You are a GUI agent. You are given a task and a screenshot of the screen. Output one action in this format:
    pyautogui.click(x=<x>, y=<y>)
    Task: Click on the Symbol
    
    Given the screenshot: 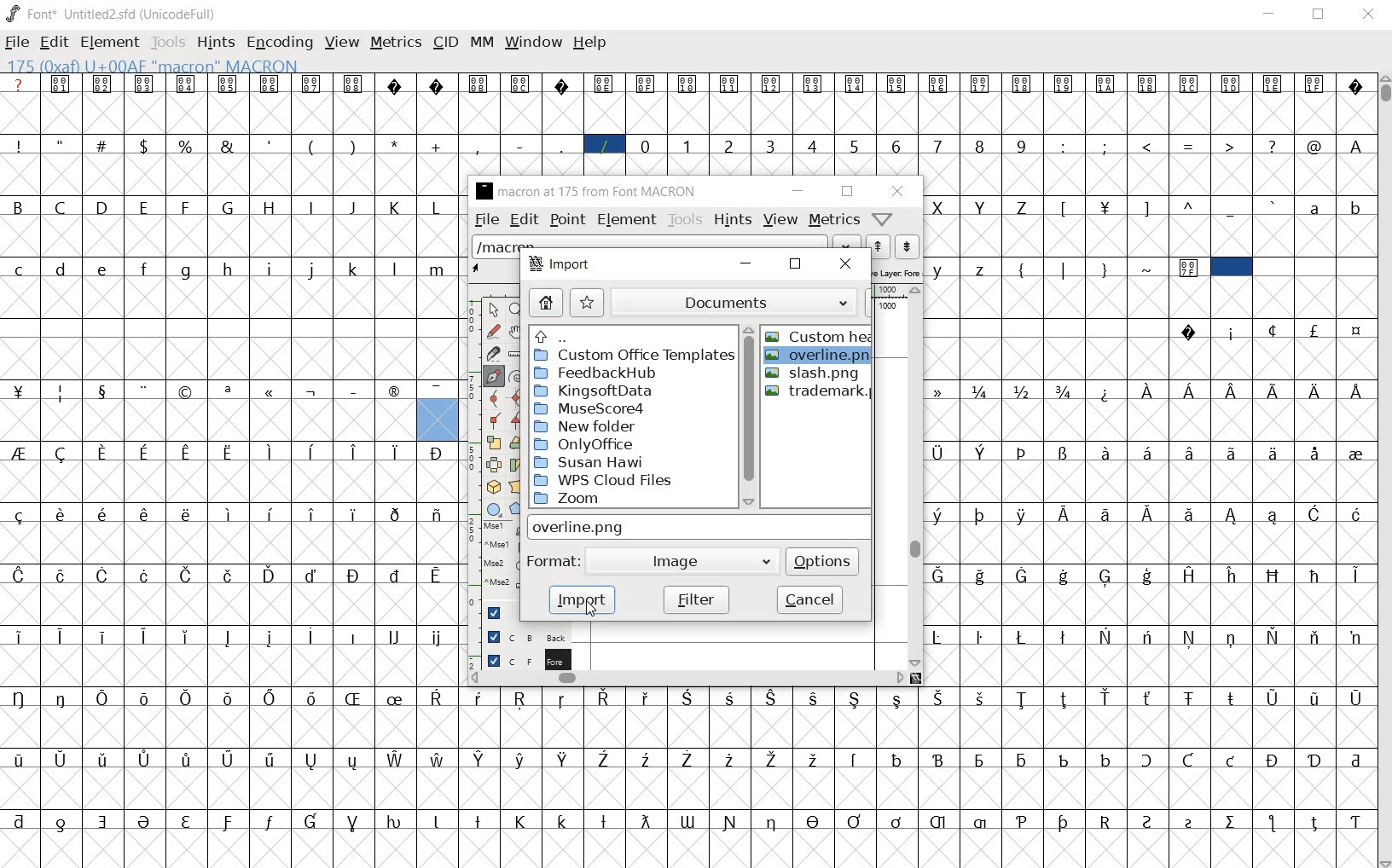 What is the action you would take?
    pyautogui.click(x=107, y=574)
    